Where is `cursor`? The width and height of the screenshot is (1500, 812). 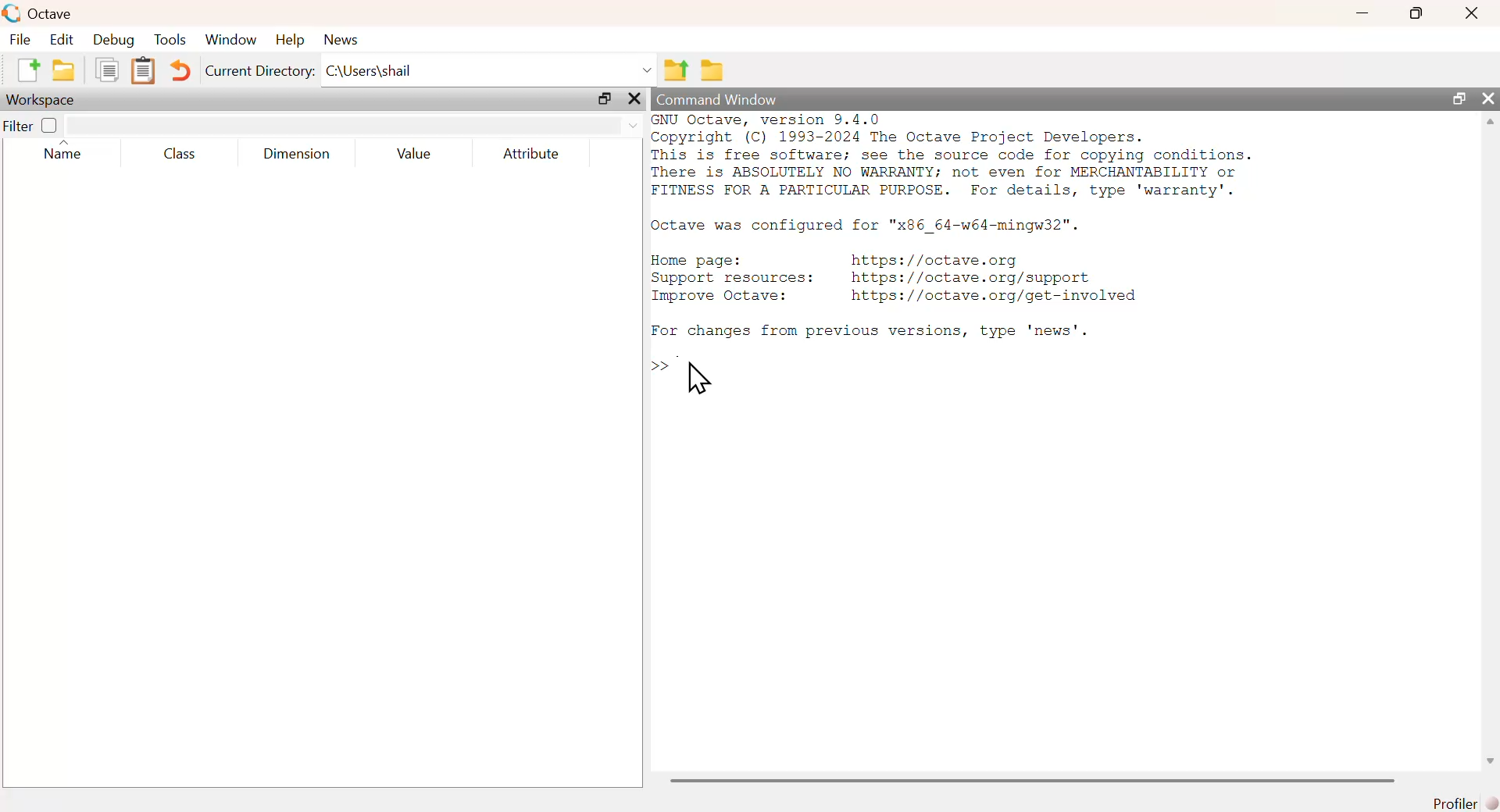
cursor is located at coordinates (698, 380).